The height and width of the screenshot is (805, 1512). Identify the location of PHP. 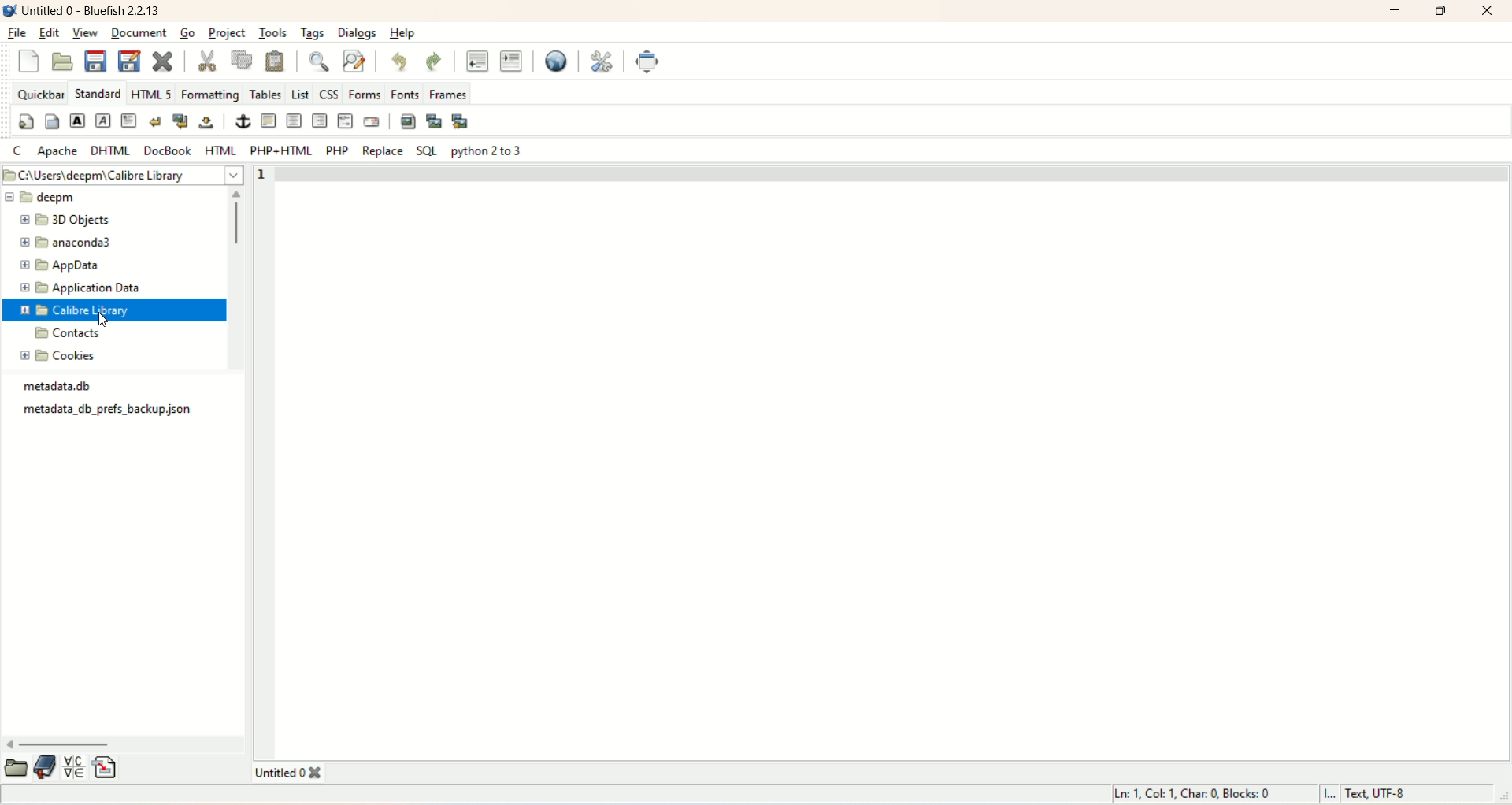
(339, 151).